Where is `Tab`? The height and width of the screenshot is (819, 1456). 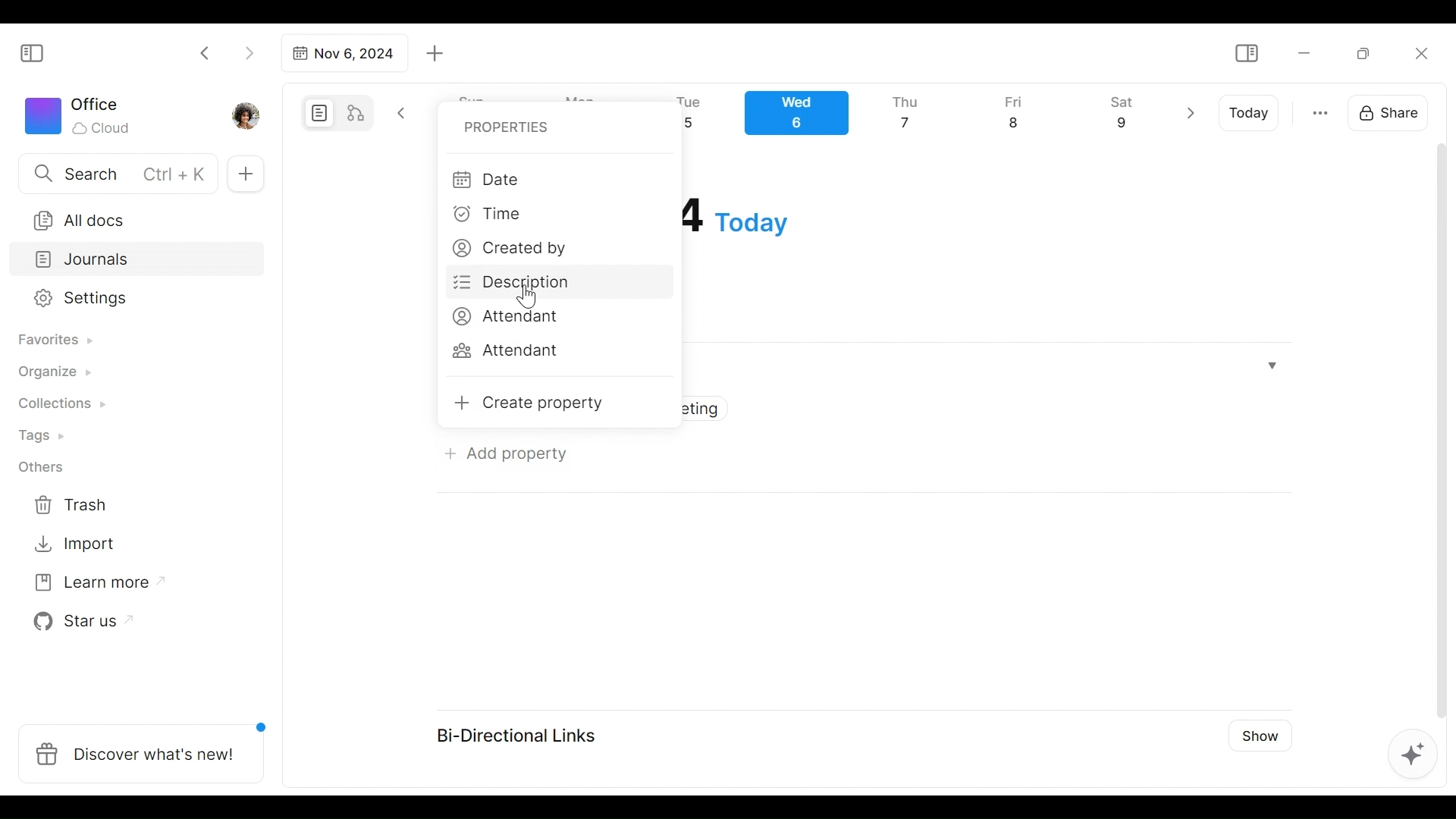 Tab is located at coordinates (342, 53).